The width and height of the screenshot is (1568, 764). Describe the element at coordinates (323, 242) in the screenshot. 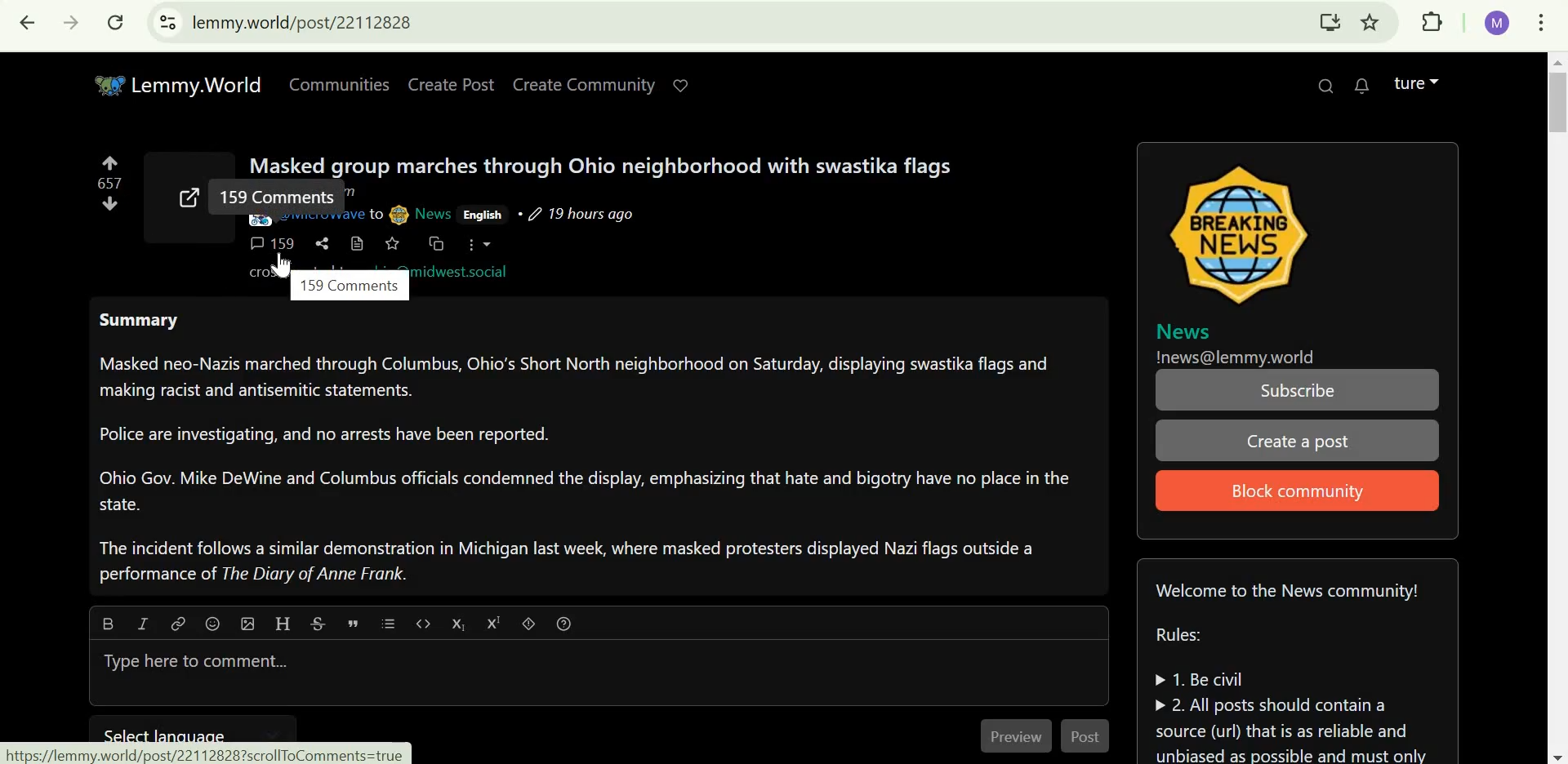

I see `share` at that location.